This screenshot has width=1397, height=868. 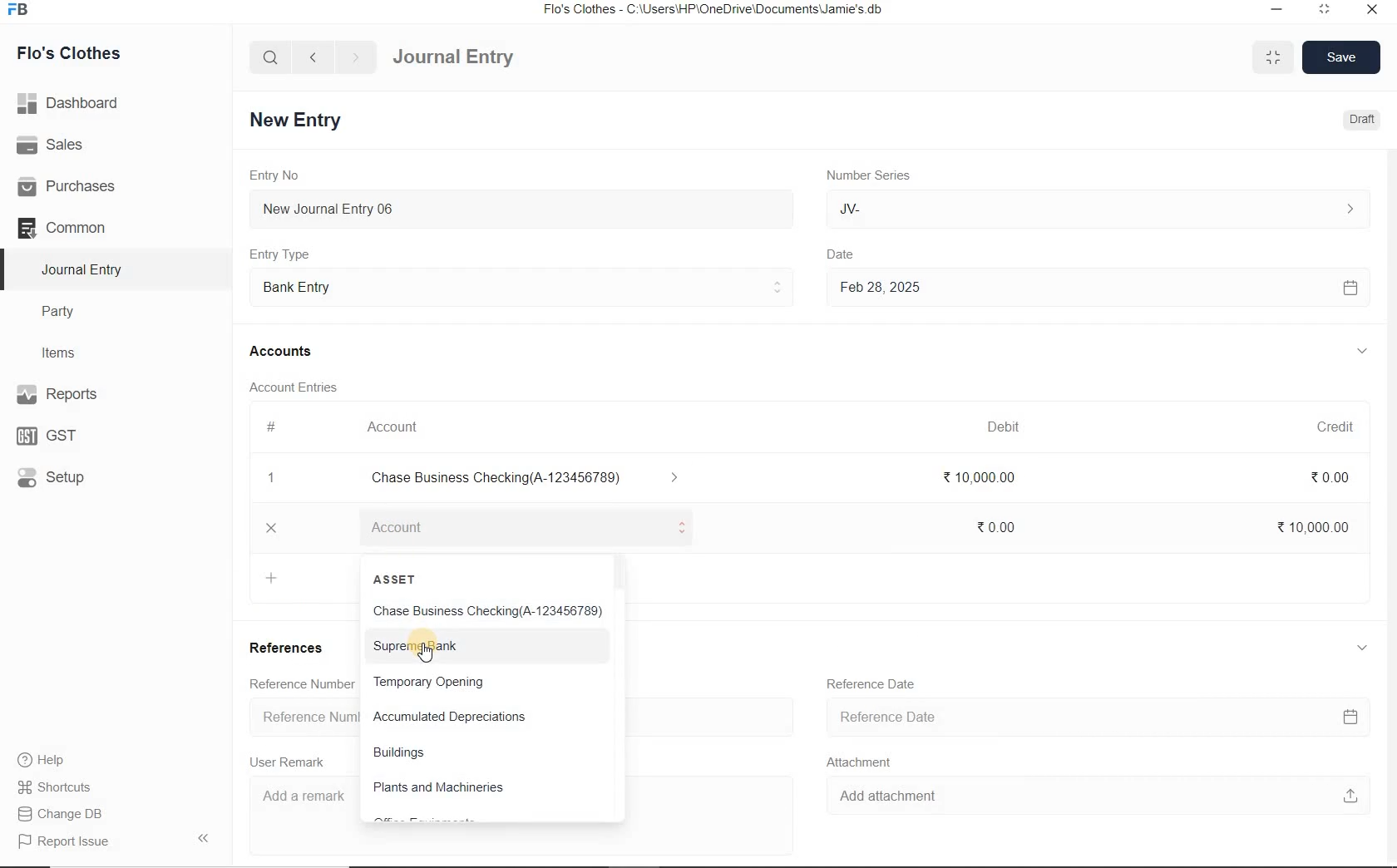 I want to click on Collpase, so click(x=203, y=837).